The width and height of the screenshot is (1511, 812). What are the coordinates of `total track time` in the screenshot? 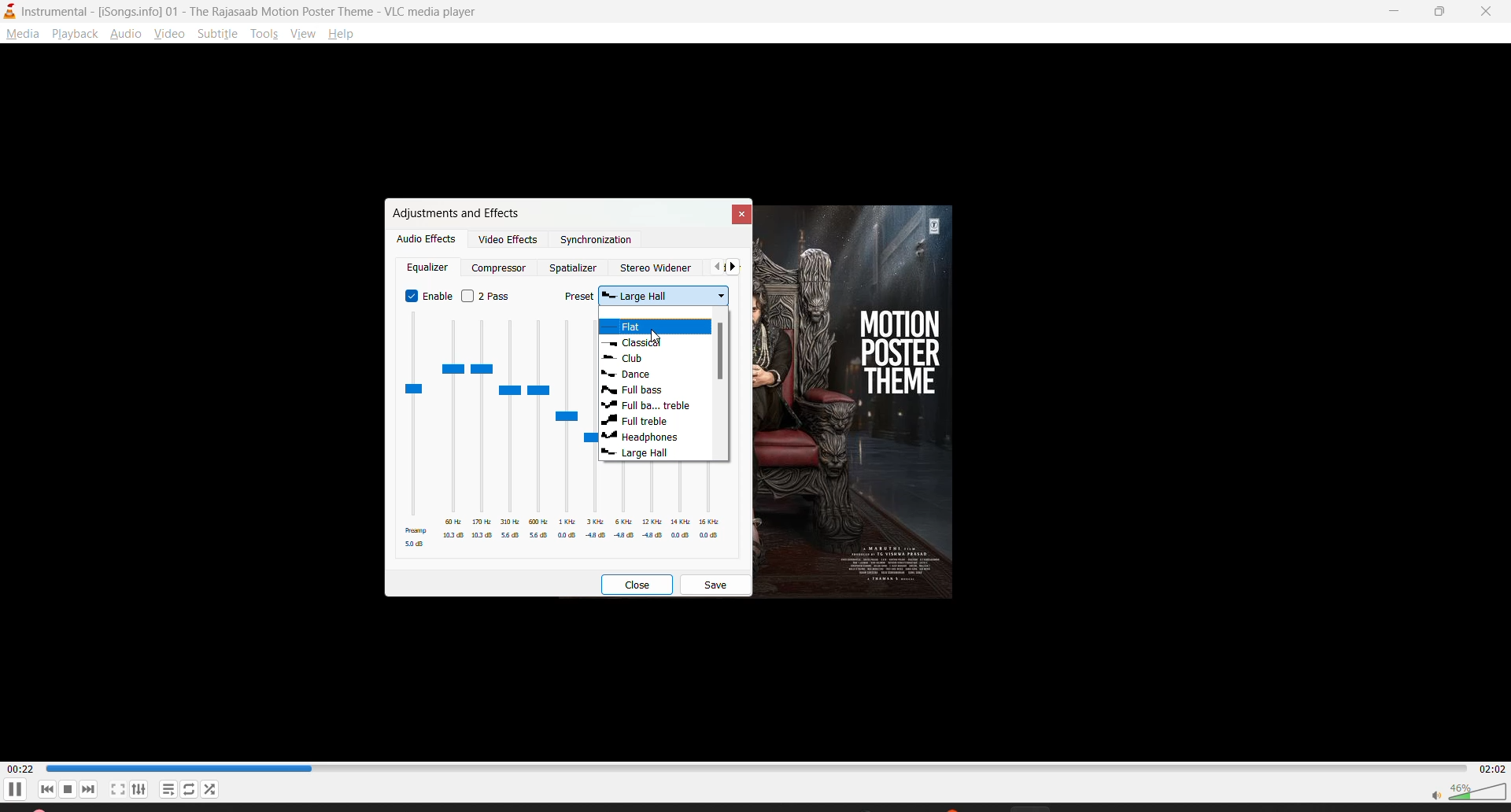 It's located at (1489, 767).